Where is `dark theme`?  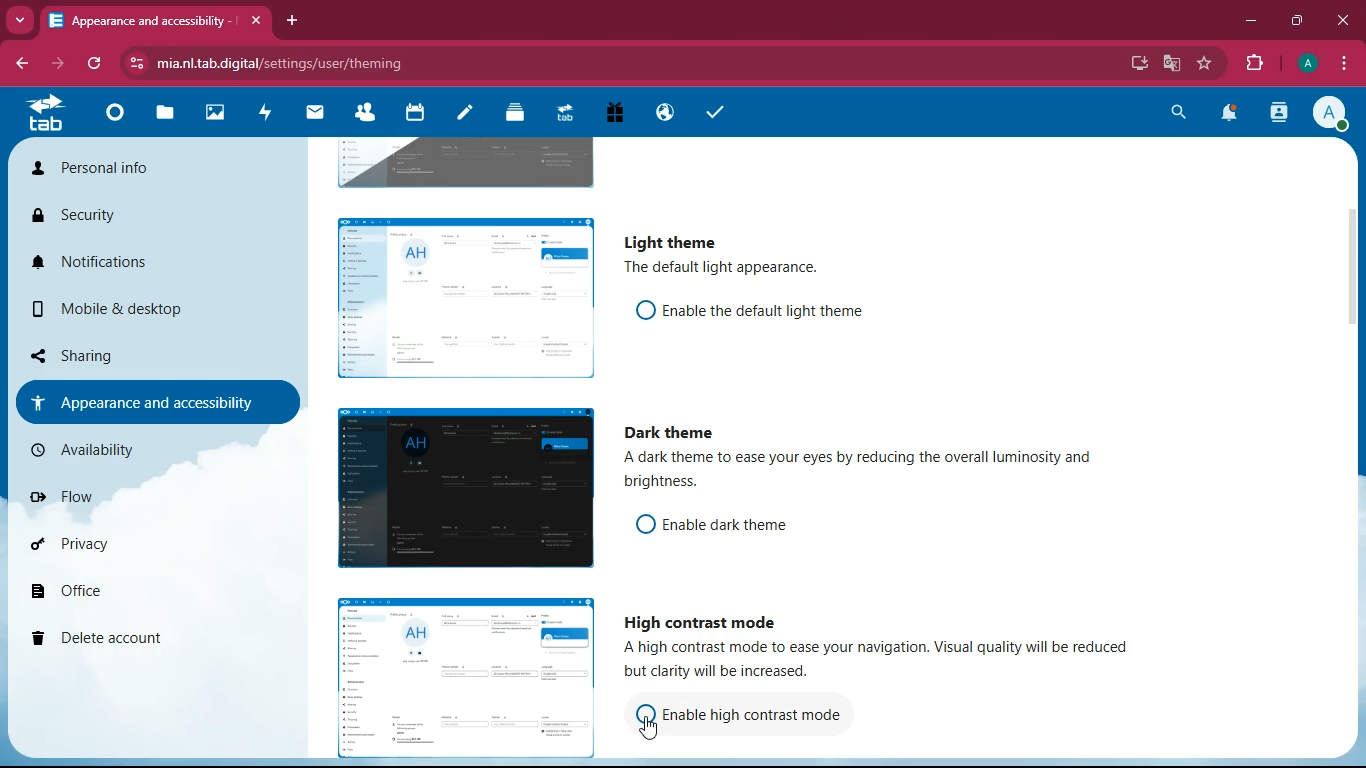 dark theme is located at coordinates (674, 433).